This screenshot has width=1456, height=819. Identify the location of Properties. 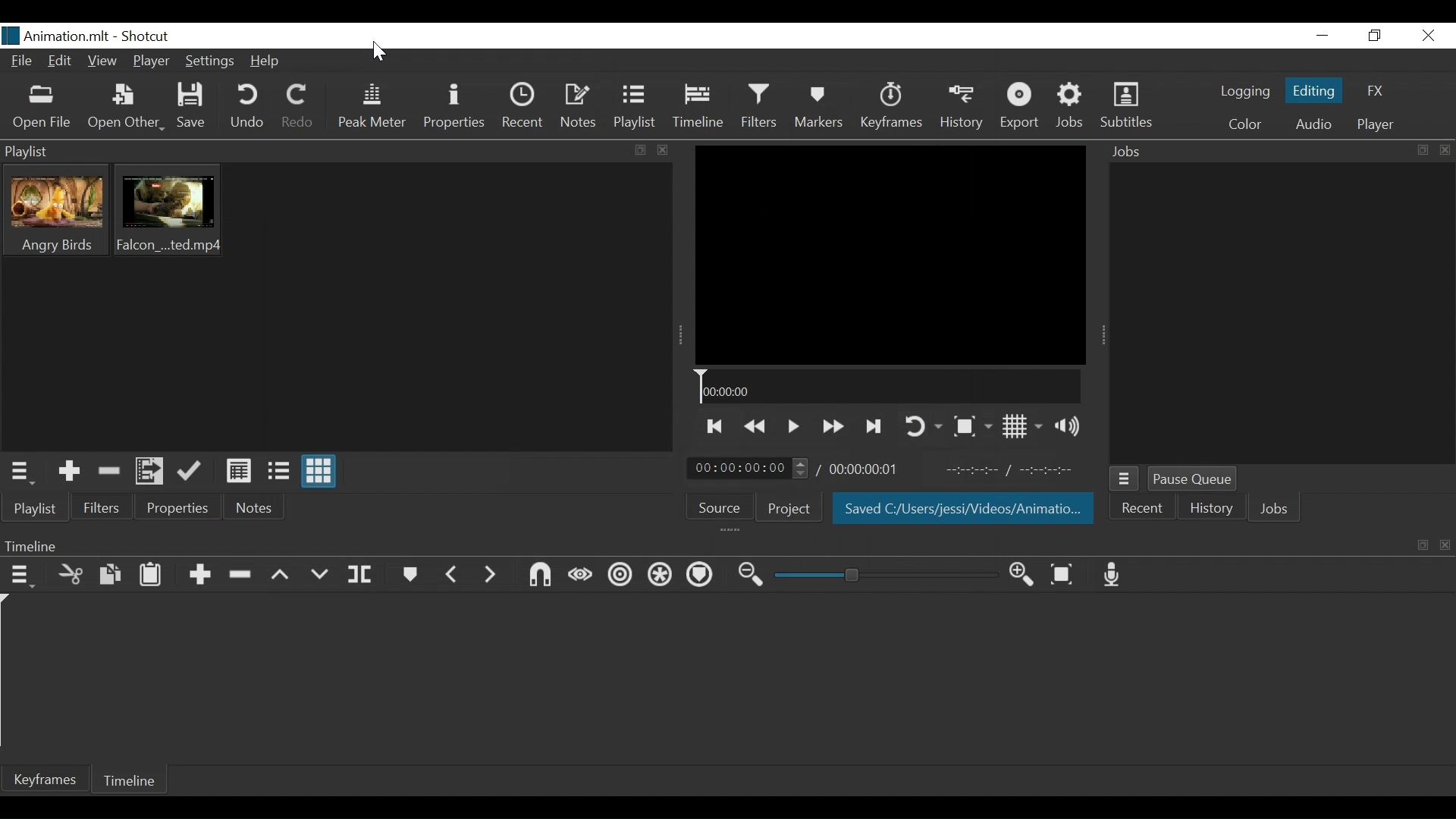
(453, 106).